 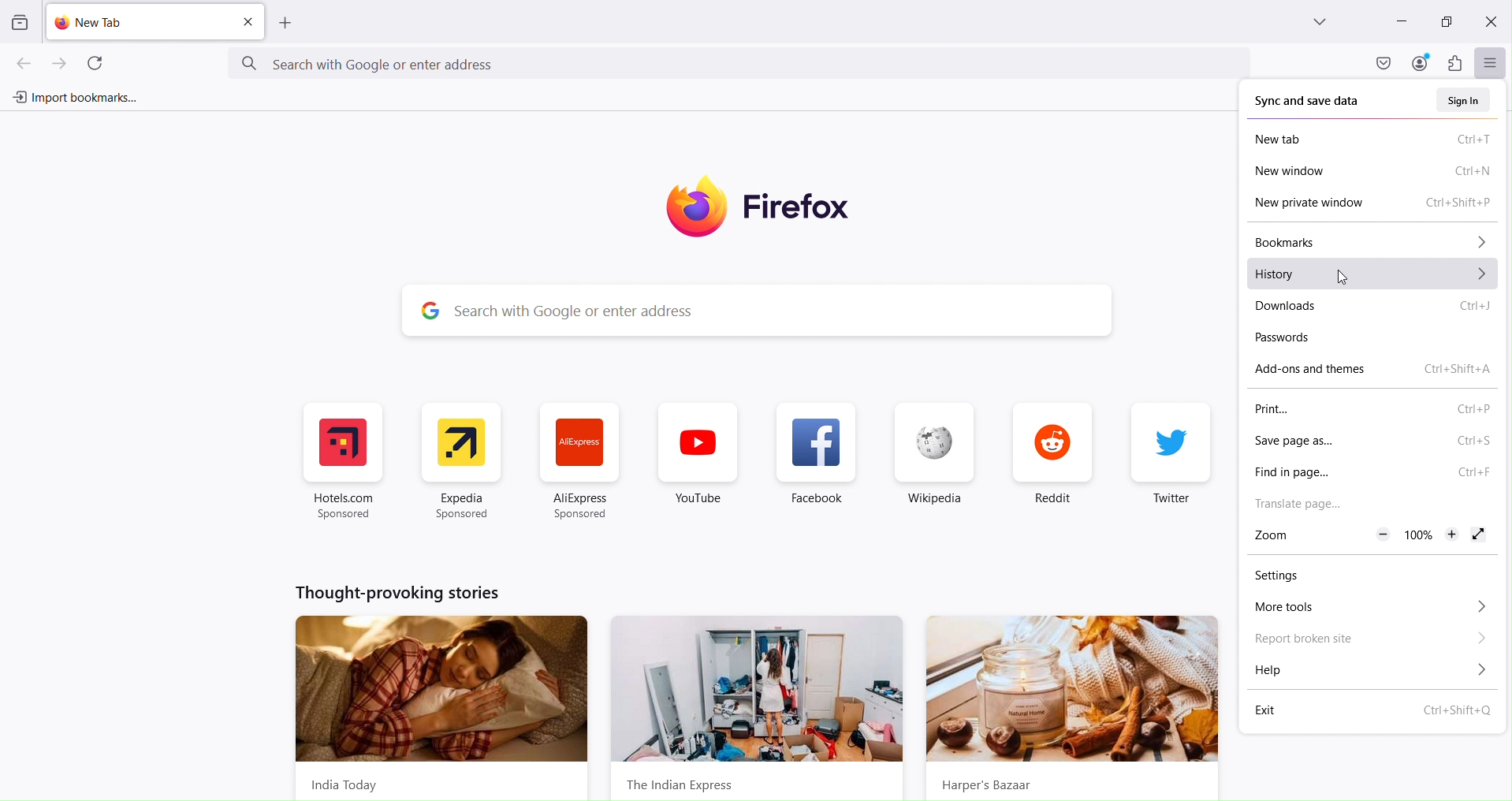 What do you see at coordinates (1376, 306) in the screenshot?
I see `Downloads` at bounding box center [1376, 306].